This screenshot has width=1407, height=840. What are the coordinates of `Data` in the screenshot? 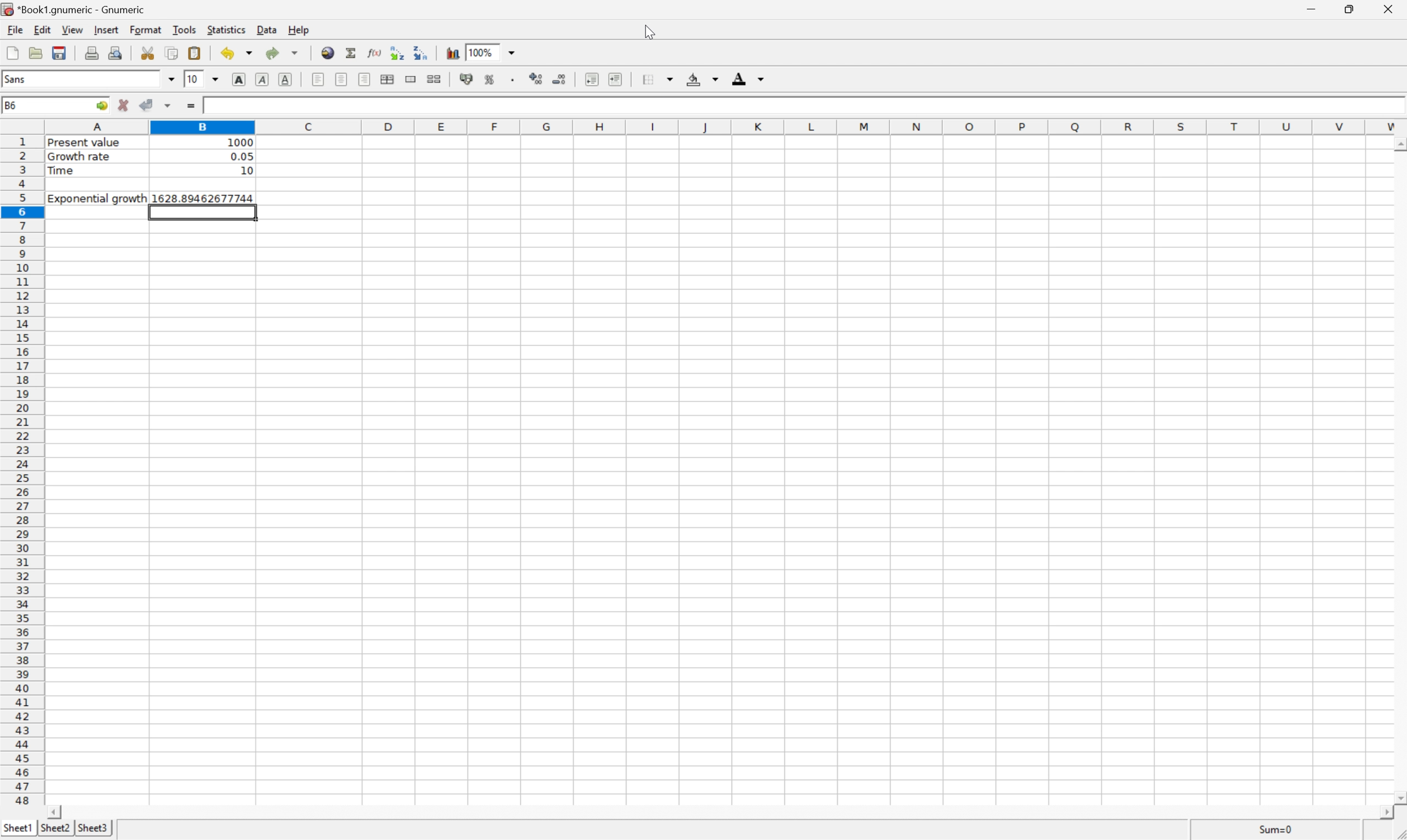 It's located at (267, 31).